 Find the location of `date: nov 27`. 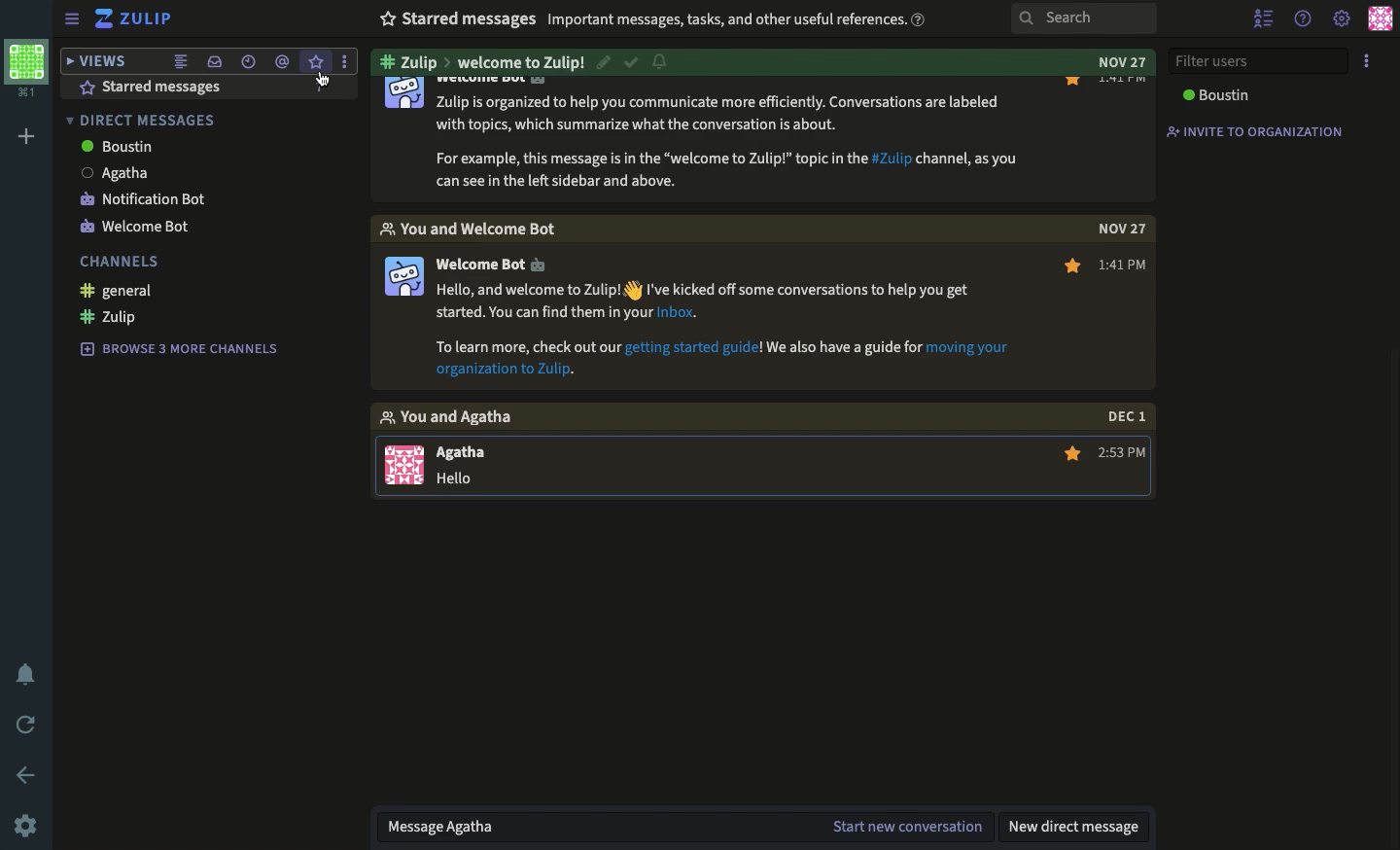

date: nov 27 is located at coordinates (1112, 63).